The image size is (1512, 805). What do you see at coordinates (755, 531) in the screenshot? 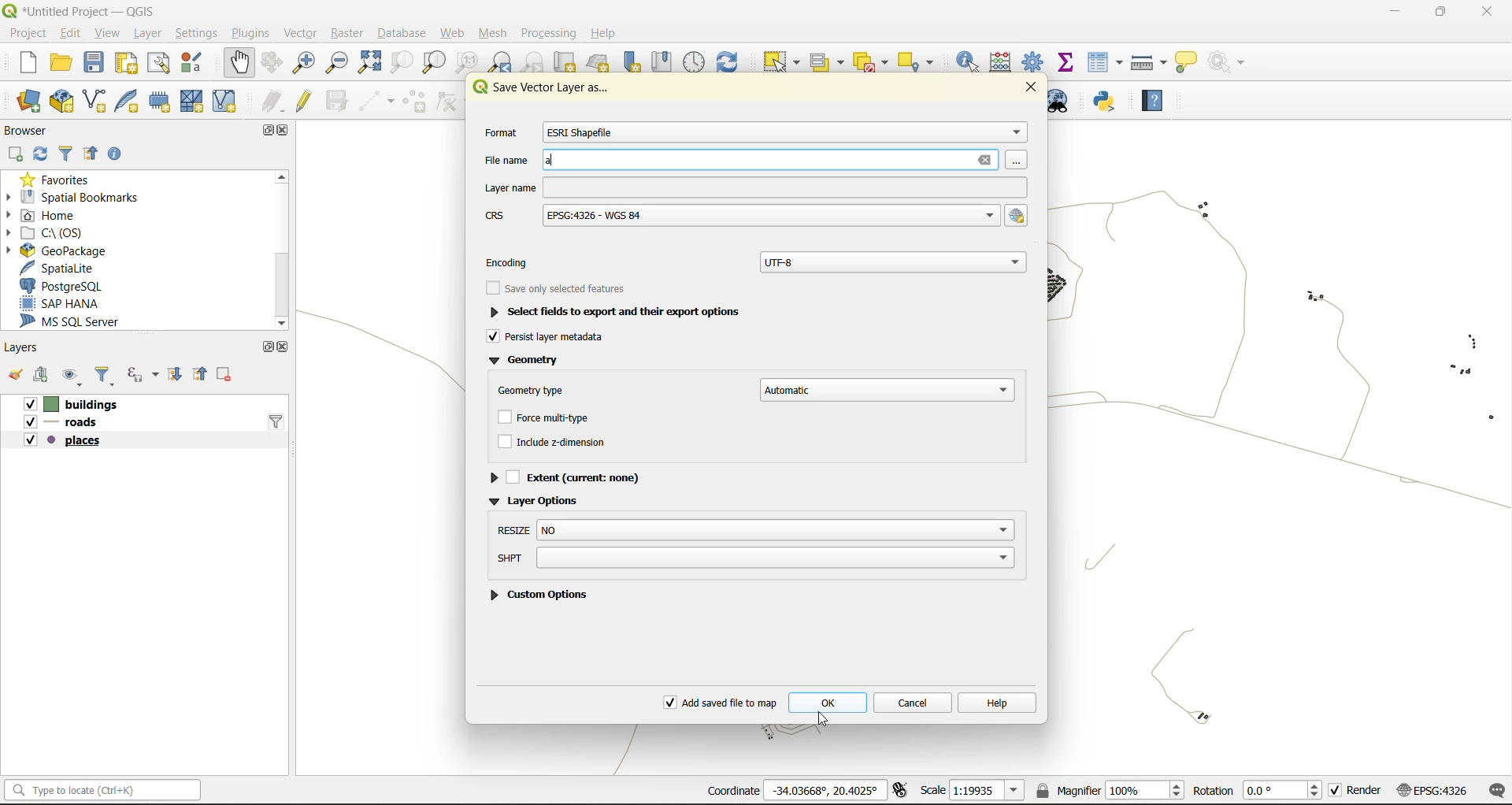
I see `Resize` at bounding box center [755, 531].